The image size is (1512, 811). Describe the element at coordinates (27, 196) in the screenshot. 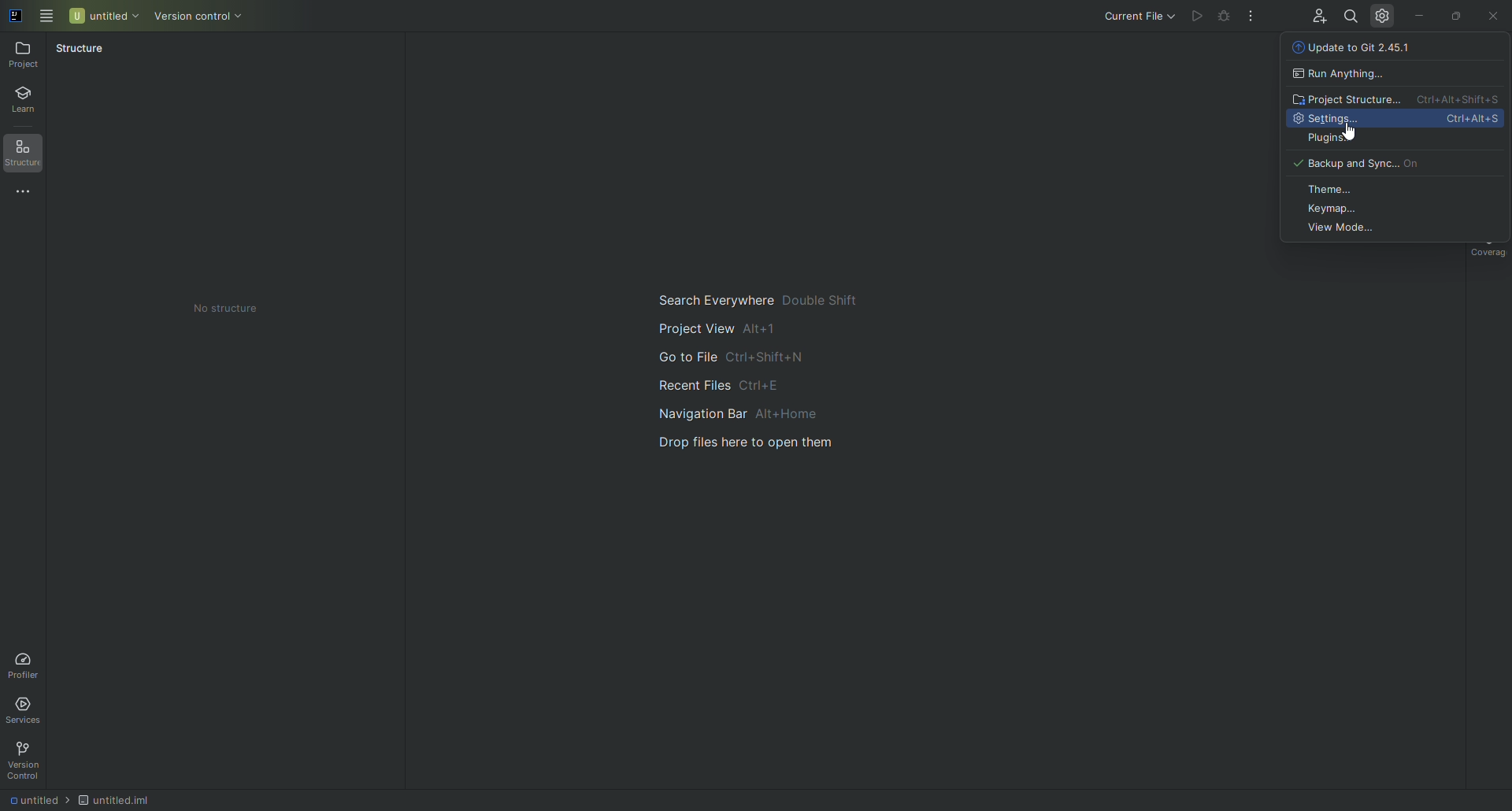

I see `More Tools` at that location.